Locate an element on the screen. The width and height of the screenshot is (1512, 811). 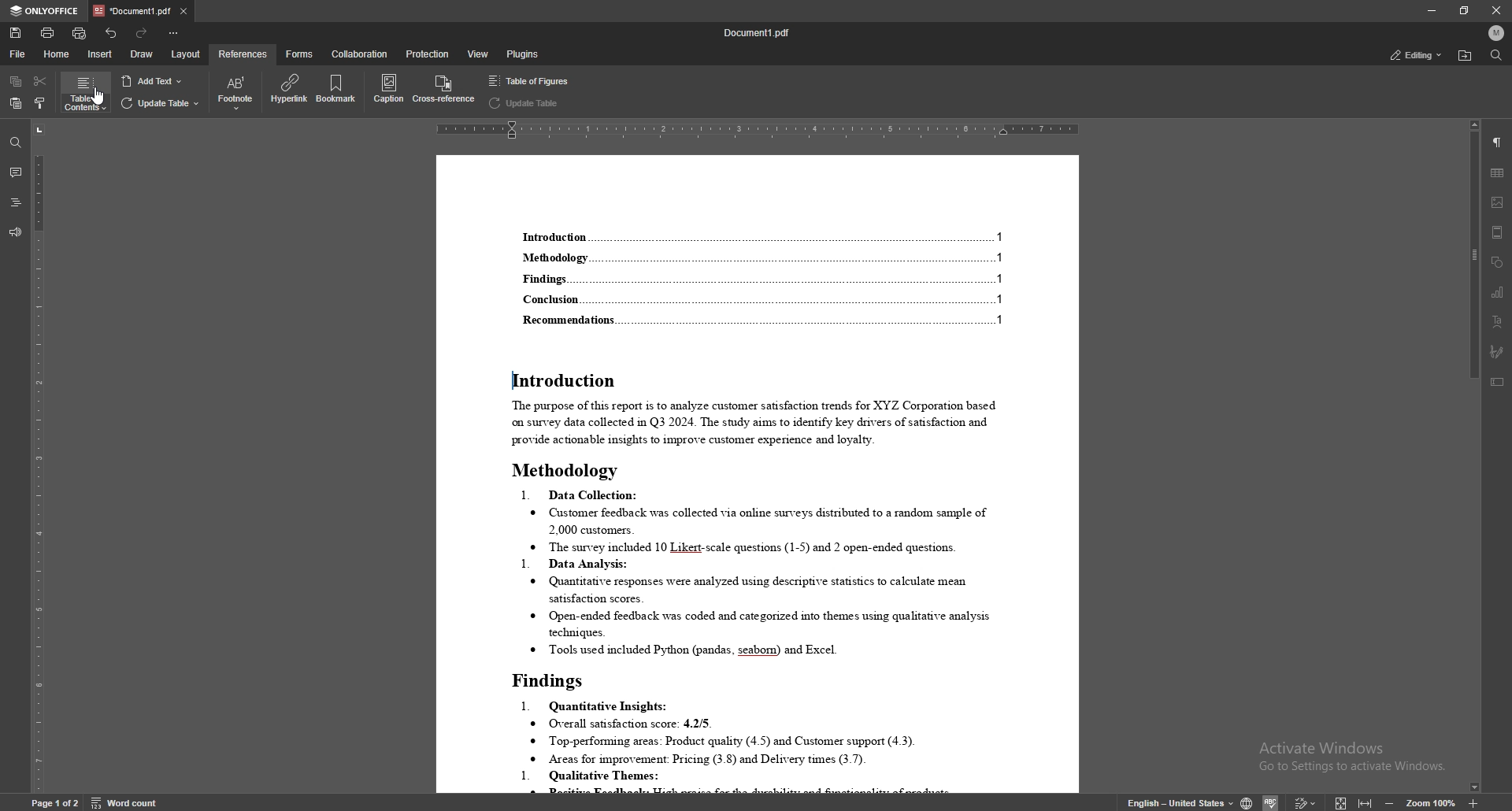
view is located at coordinates (479, 54).